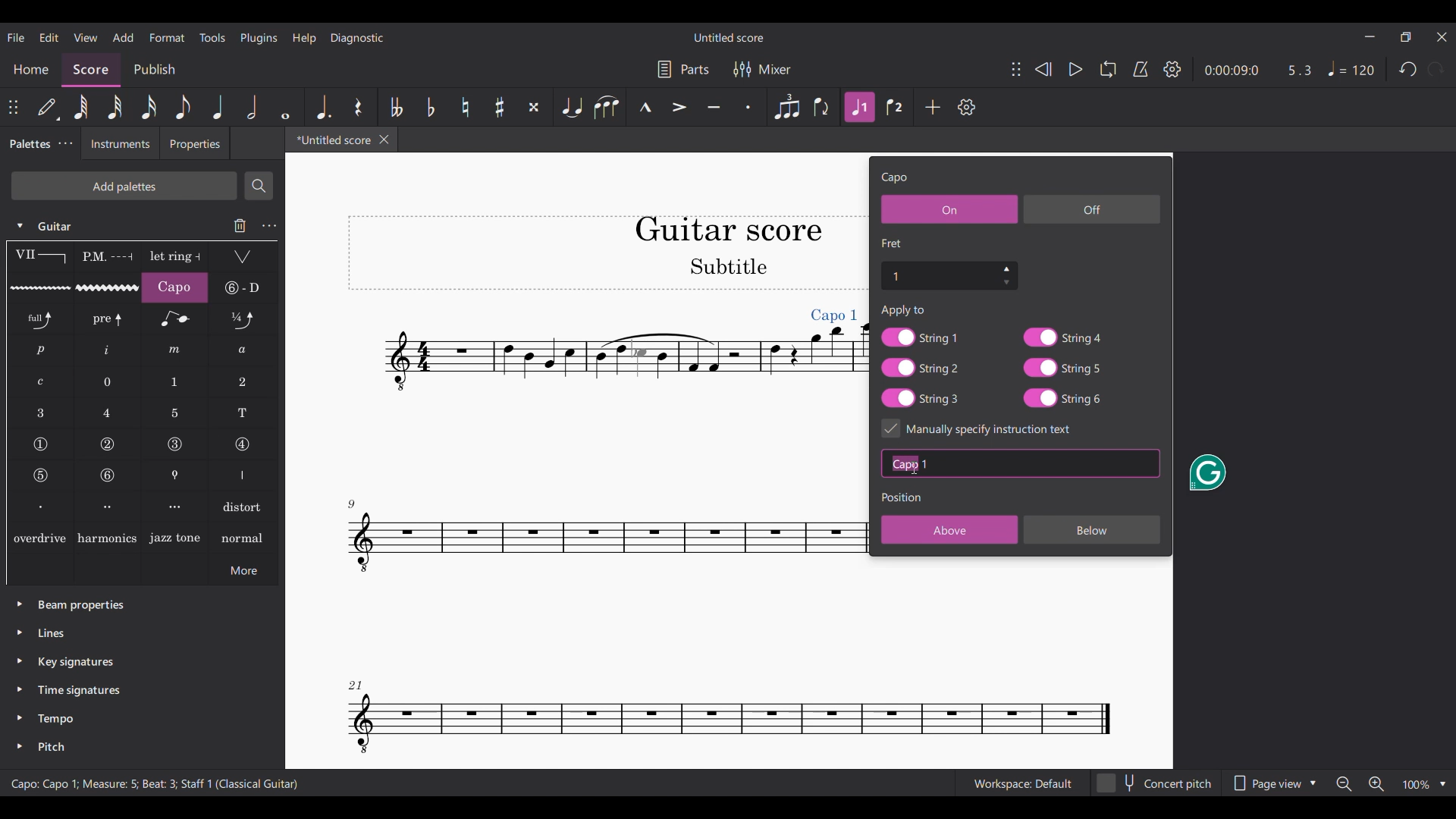 This screenshot has height=819, width=1456. What do you see at coordinates (243, 413) in the screenshot?
I see `LH guitar fingering T` at bounding box center [243, 413].